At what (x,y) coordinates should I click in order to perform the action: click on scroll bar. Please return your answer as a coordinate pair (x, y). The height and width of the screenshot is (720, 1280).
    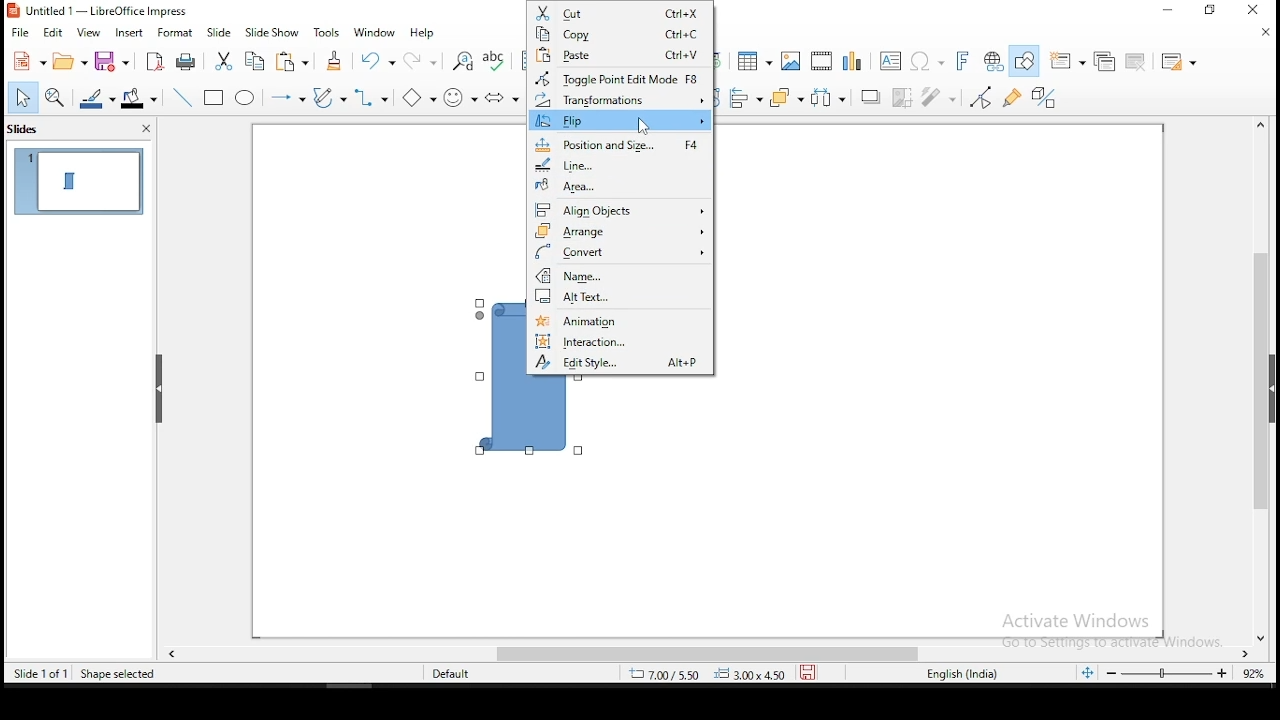
    Looking at the image, I should click on (1262, 381).